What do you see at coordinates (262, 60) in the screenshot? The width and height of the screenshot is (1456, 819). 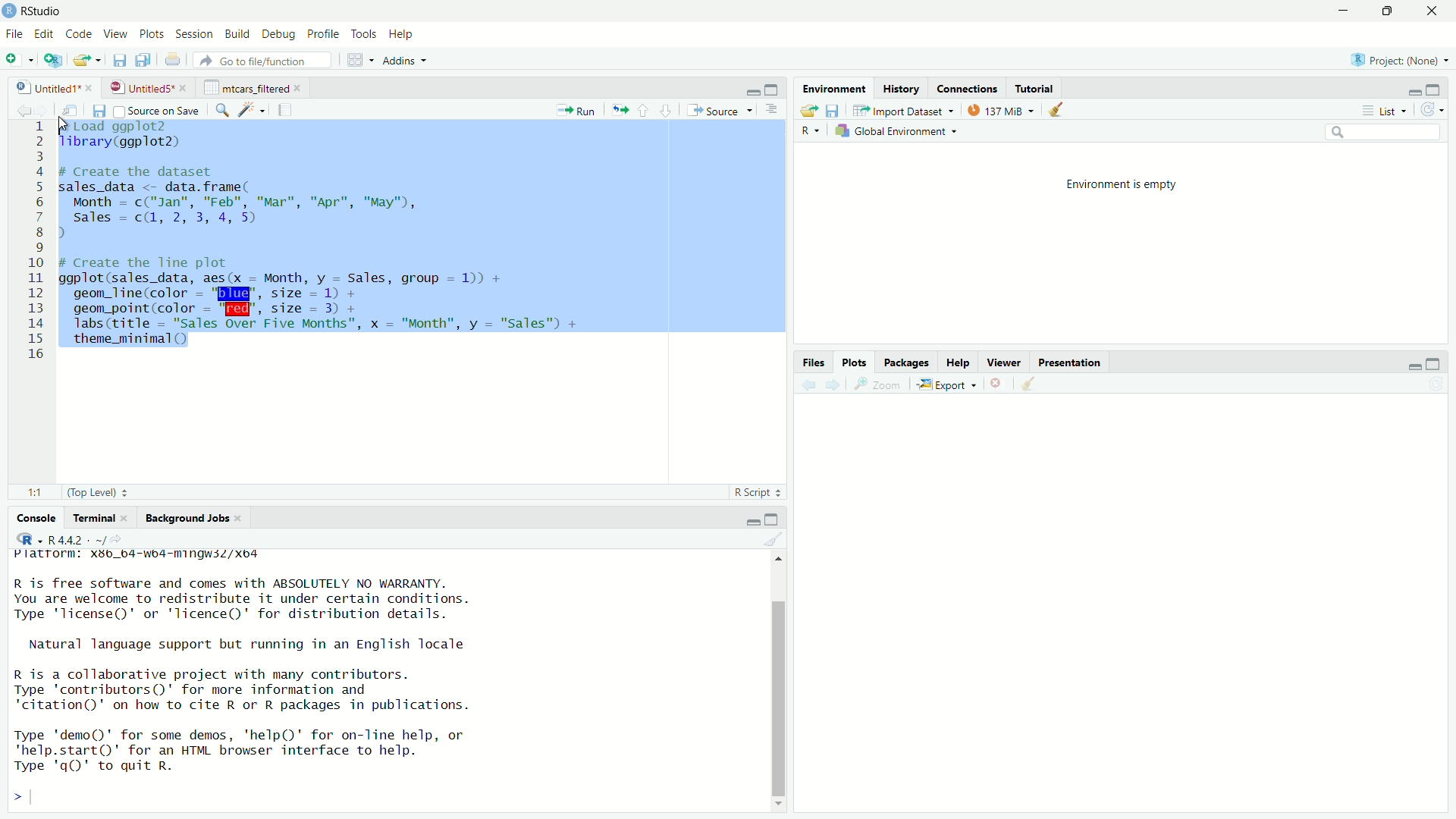 I see `Go to file/function` at bounding box center [262, 60].